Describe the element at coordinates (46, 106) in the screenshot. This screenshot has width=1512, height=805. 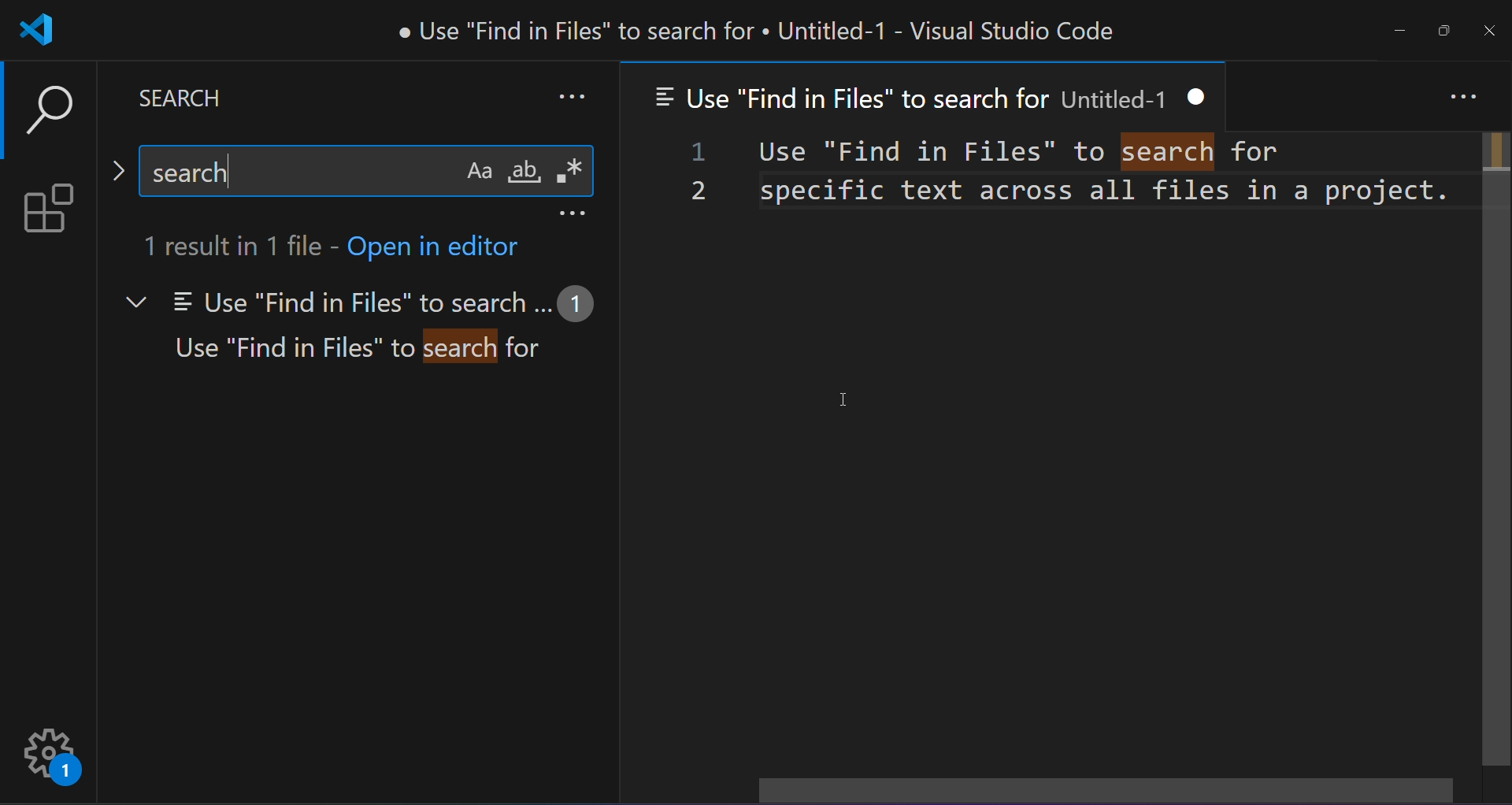
I see `search option` at that location.